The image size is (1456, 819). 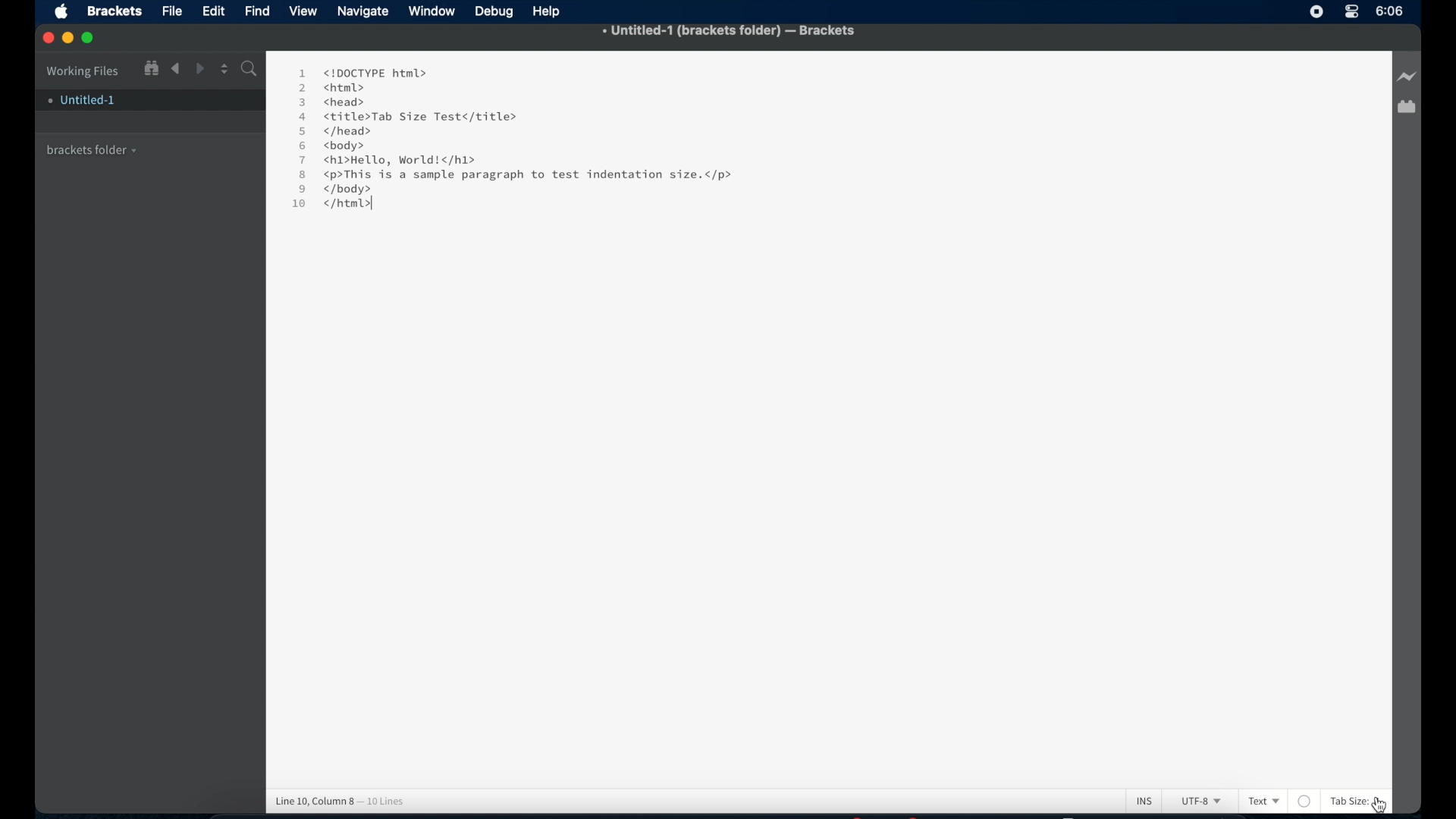 What do you see at coordinates (83, 69) in the screenshot?
I see `Working Files` at bounding box center [83, 69].